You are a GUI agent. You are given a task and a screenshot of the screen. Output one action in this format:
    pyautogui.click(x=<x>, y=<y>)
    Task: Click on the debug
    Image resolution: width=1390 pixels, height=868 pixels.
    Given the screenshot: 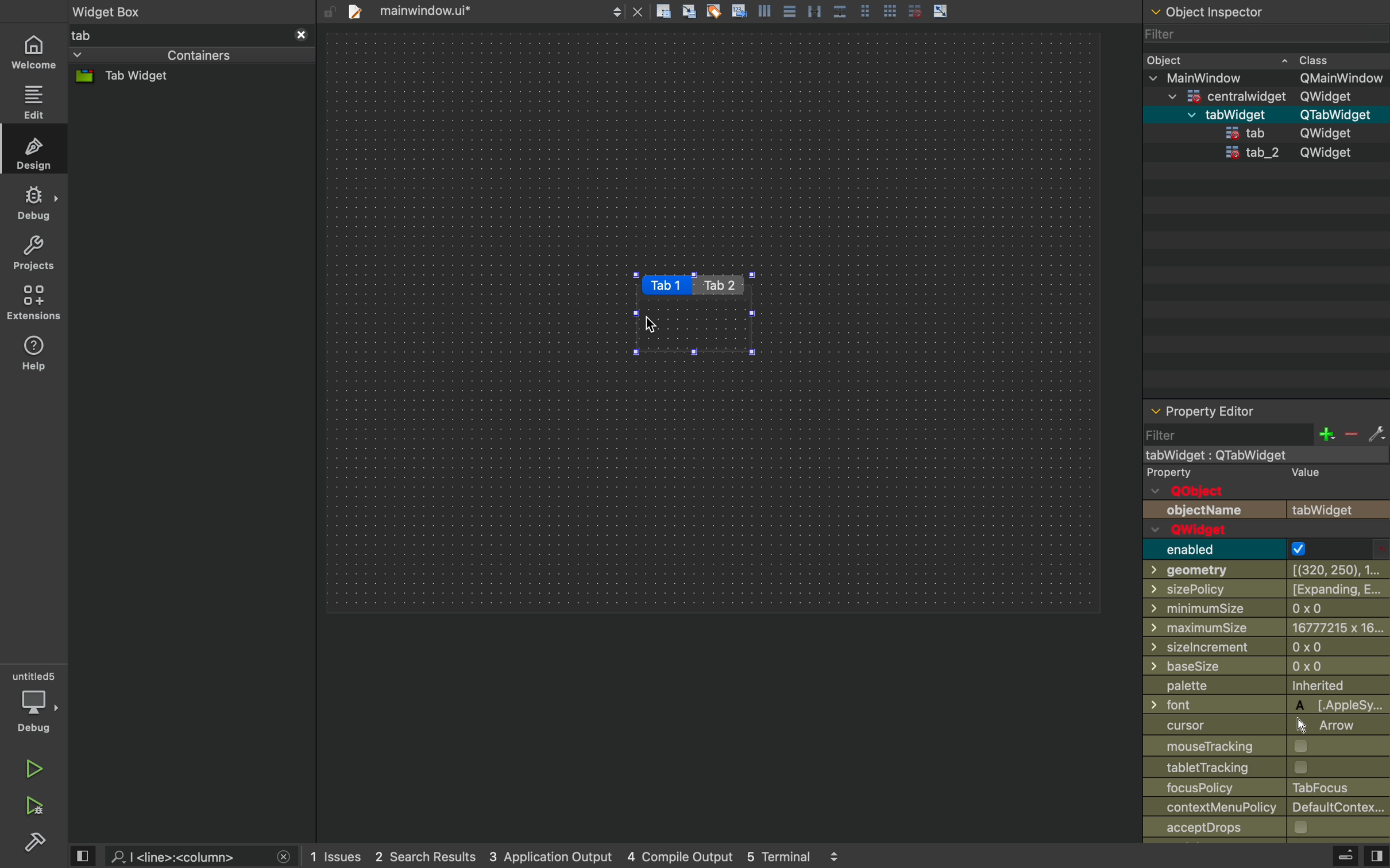 What is the action you would take?
    pyautogui.click(x=37, y=702)
    